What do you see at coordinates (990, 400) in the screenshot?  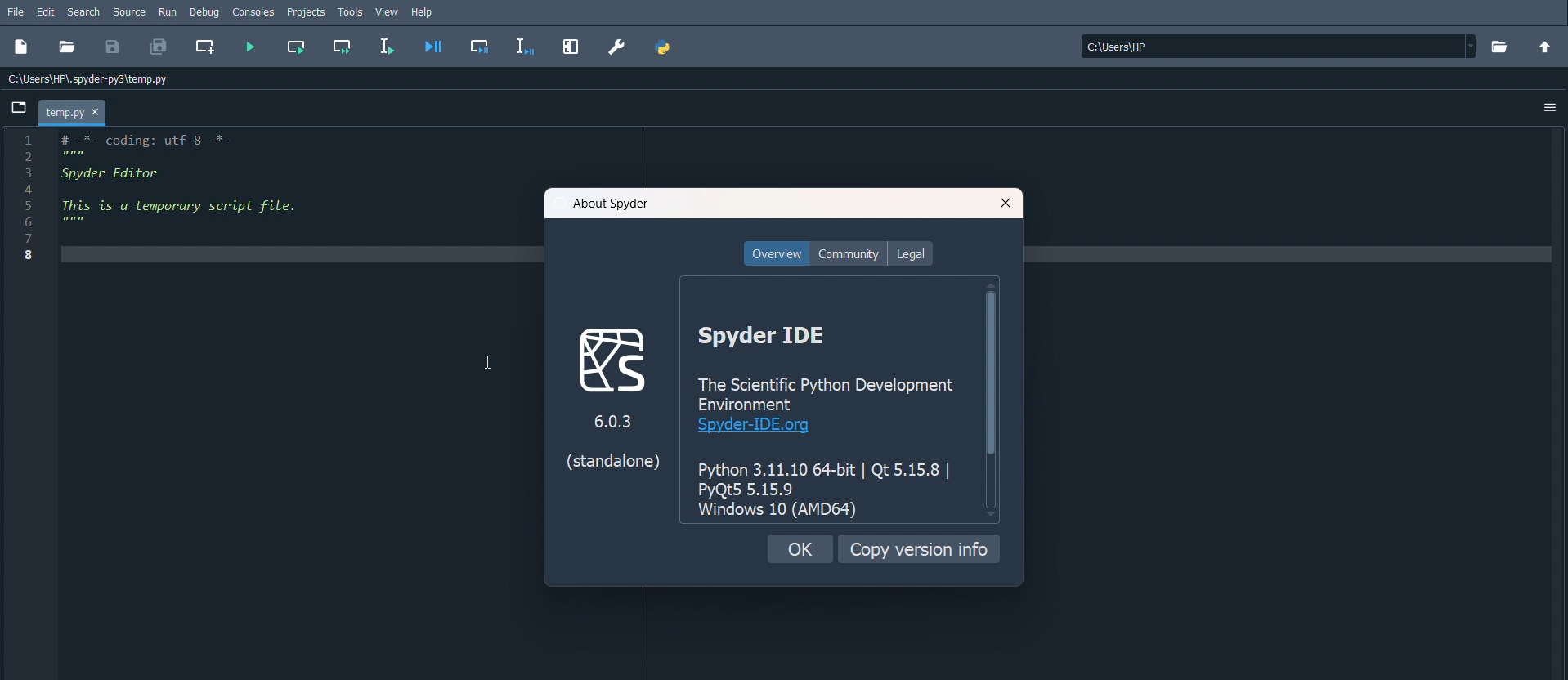 I see `scroll bar` at bounding box center [990, 400].